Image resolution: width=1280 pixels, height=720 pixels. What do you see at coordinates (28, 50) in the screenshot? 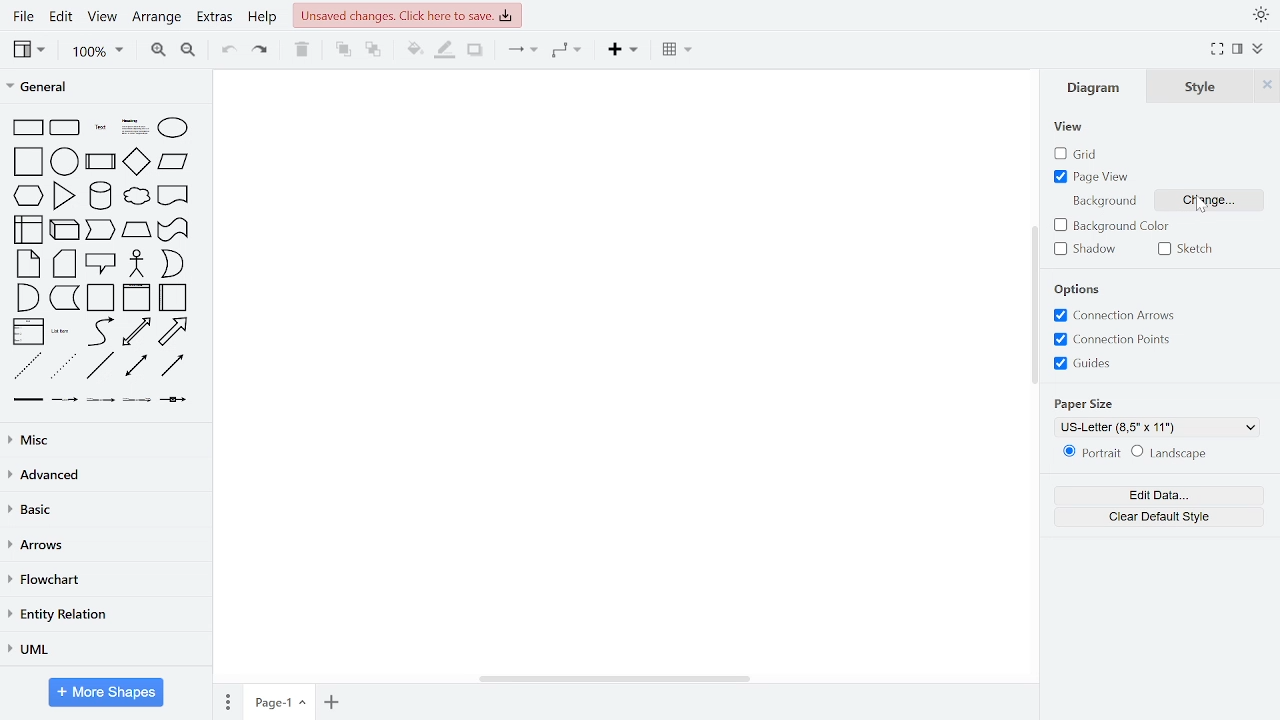
I see `view` at bounding box center [28, 50].